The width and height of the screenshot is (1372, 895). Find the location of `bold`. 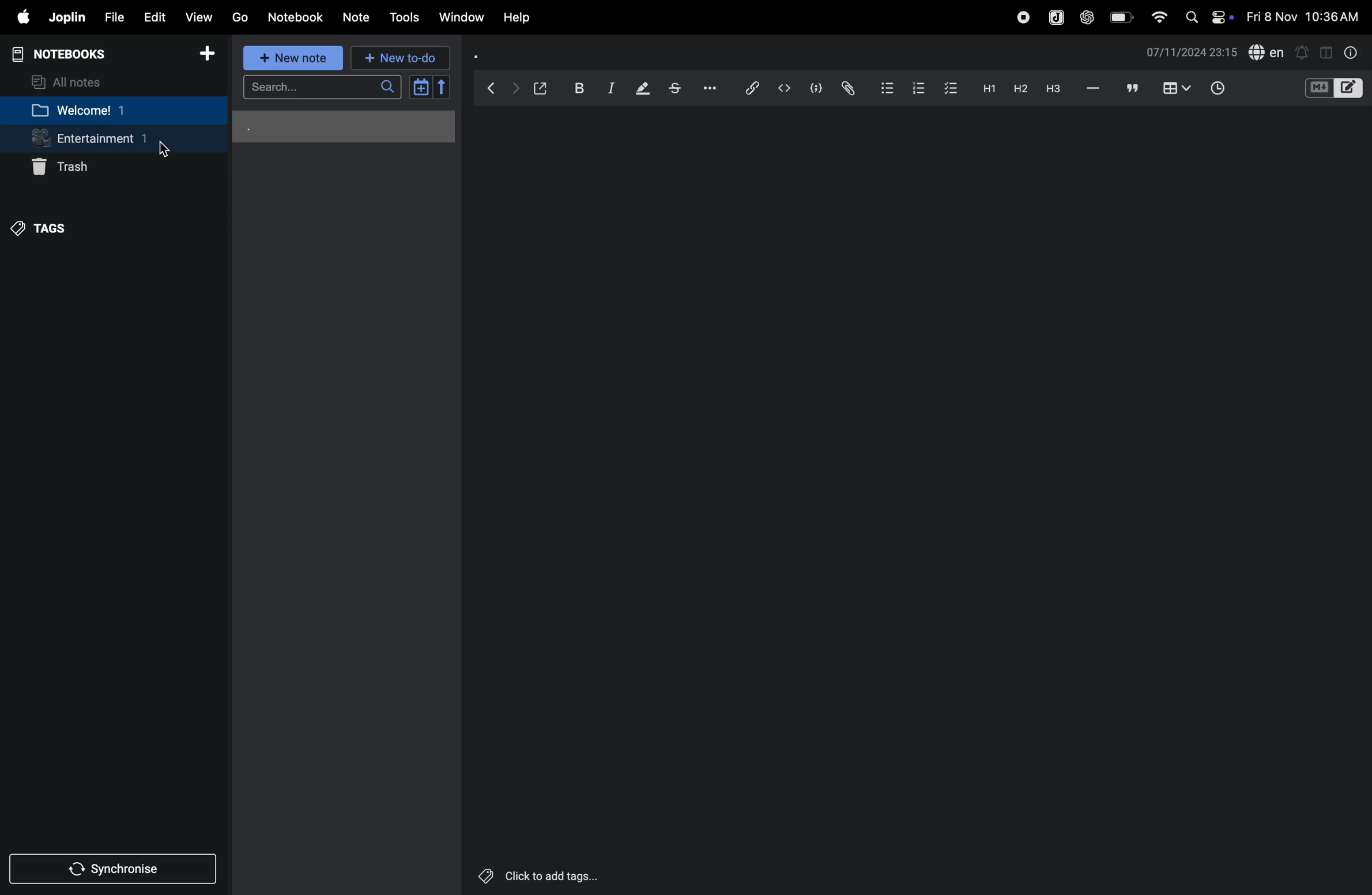

bold is located at coordinates (579, 88).